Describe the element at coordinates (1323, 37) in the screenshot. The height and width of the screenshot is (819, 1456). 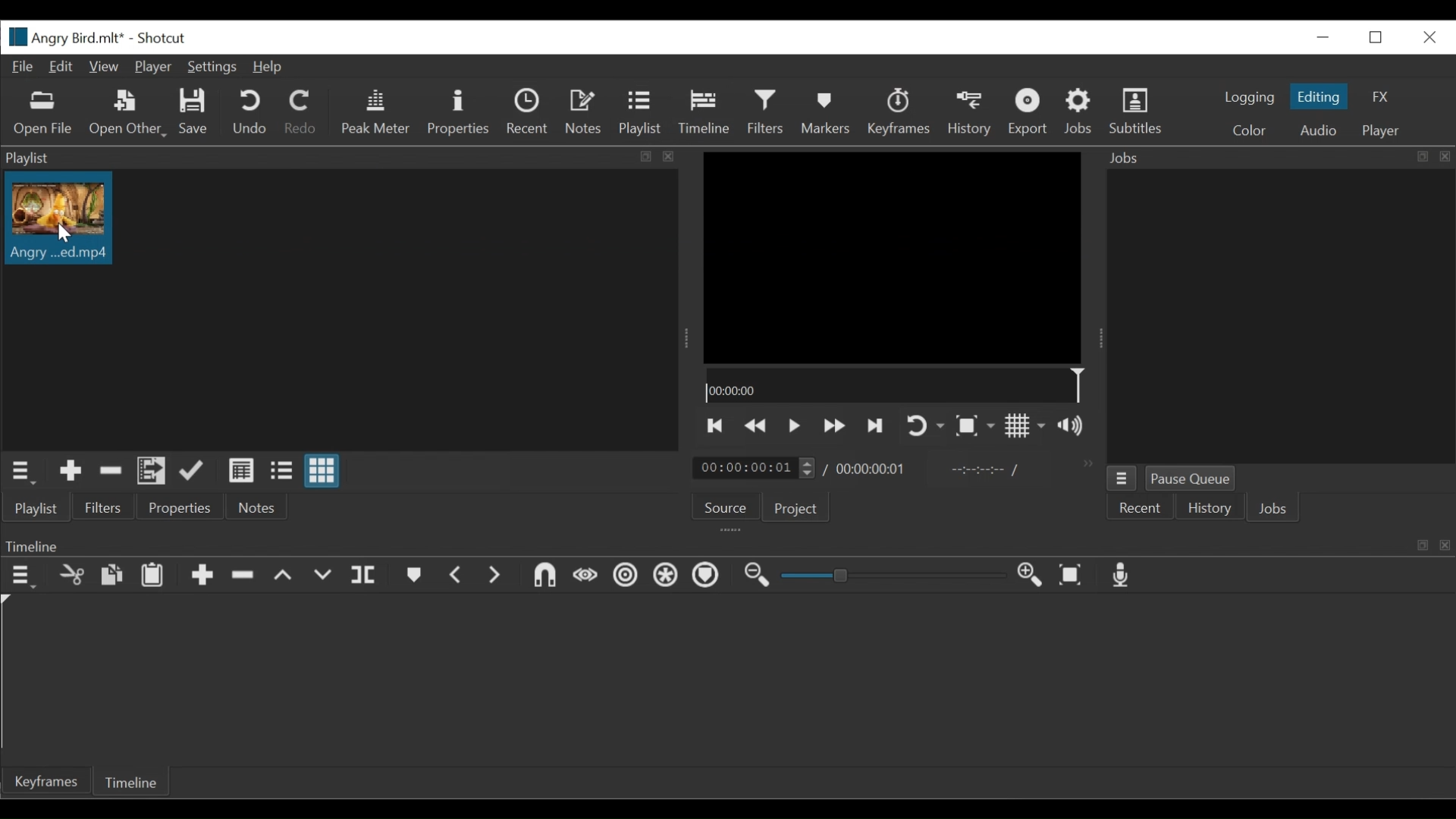
I see `minimize` at that location.